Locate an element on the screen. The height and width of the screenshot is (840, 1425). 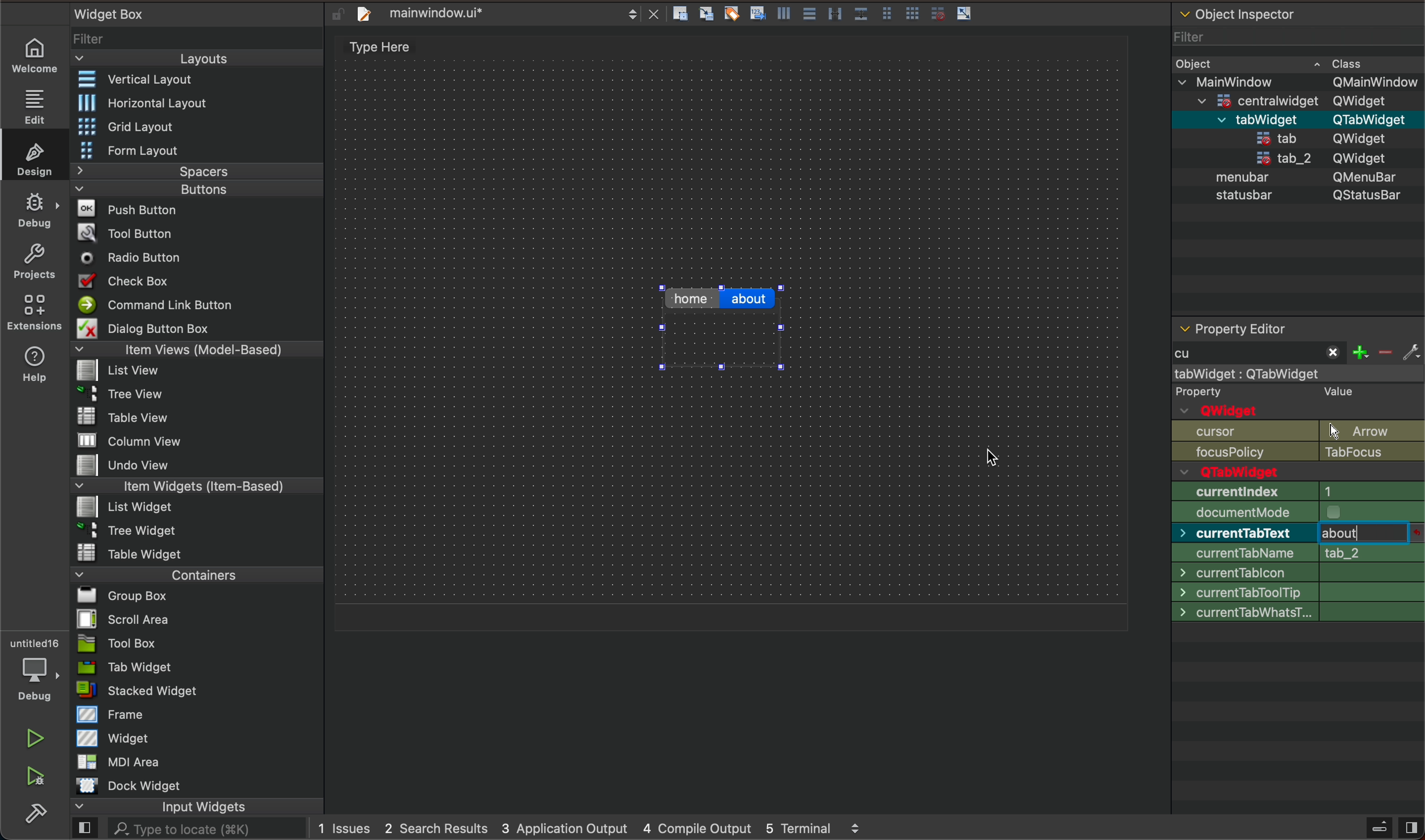
QMenubar is located at coordinates (1355, 179).